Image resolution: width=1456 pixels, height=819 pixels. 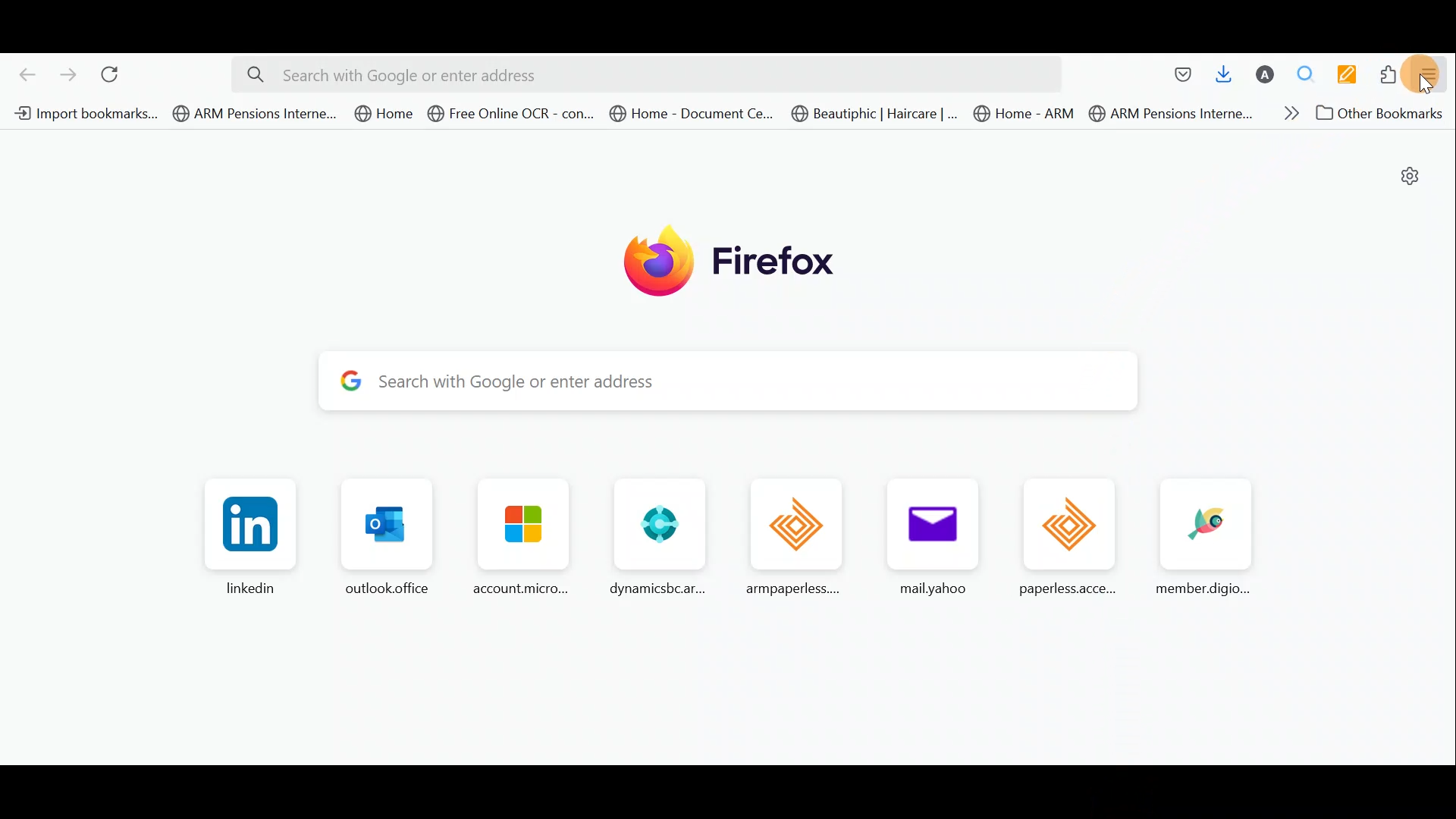 I want to click on Open application menu, so click(x=1432, y=76).